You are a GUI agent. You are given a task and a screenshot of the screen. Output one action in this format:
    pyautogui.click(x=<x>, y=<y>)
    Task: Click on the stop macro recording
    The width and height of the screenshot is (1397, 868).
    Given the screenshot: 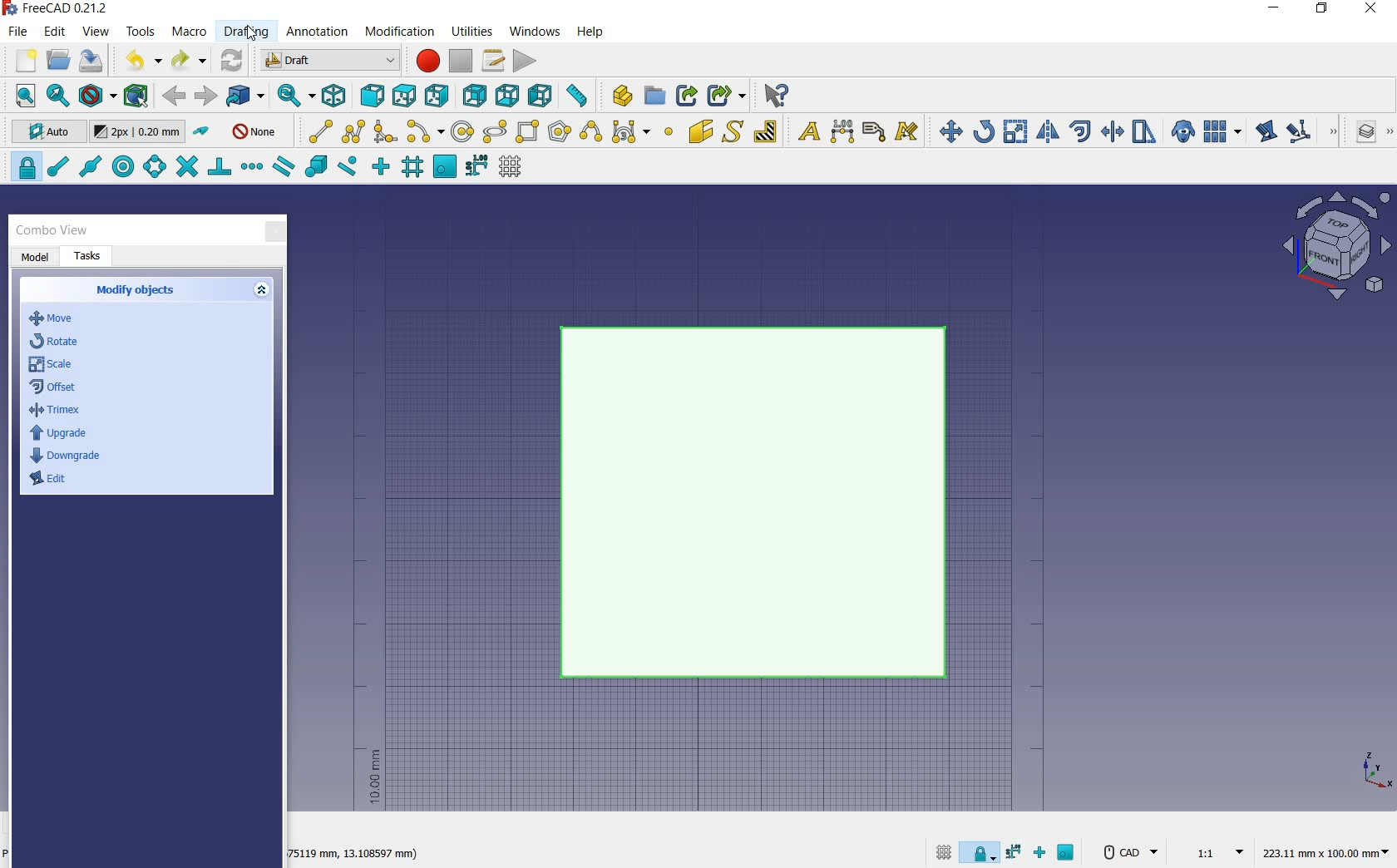 What is the action you would take?
    pyautogui.click(x=462, y=61)
    